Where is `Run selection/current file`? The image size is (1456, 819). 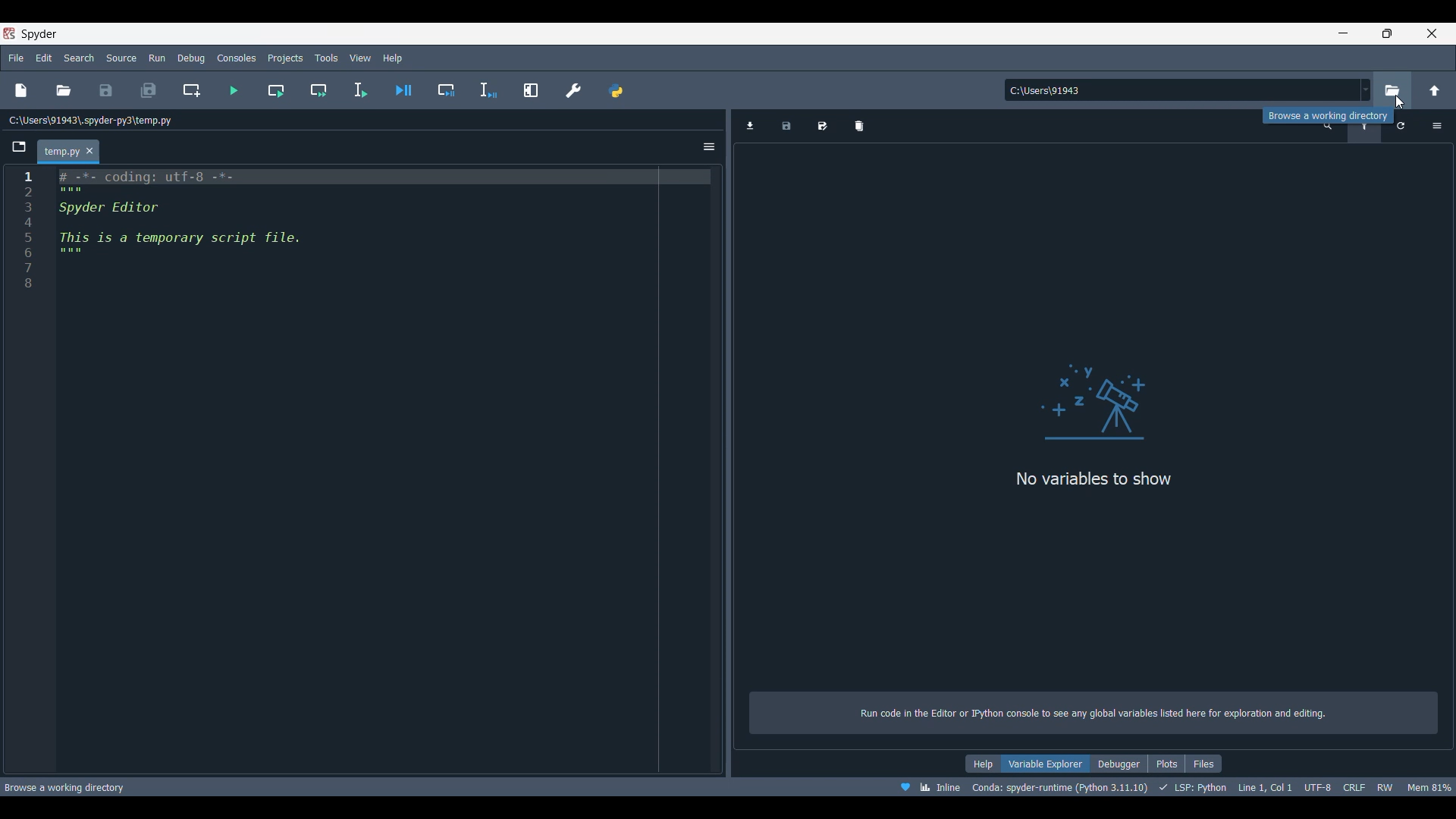
Run selection/current file is located at coordinates (360, 90).